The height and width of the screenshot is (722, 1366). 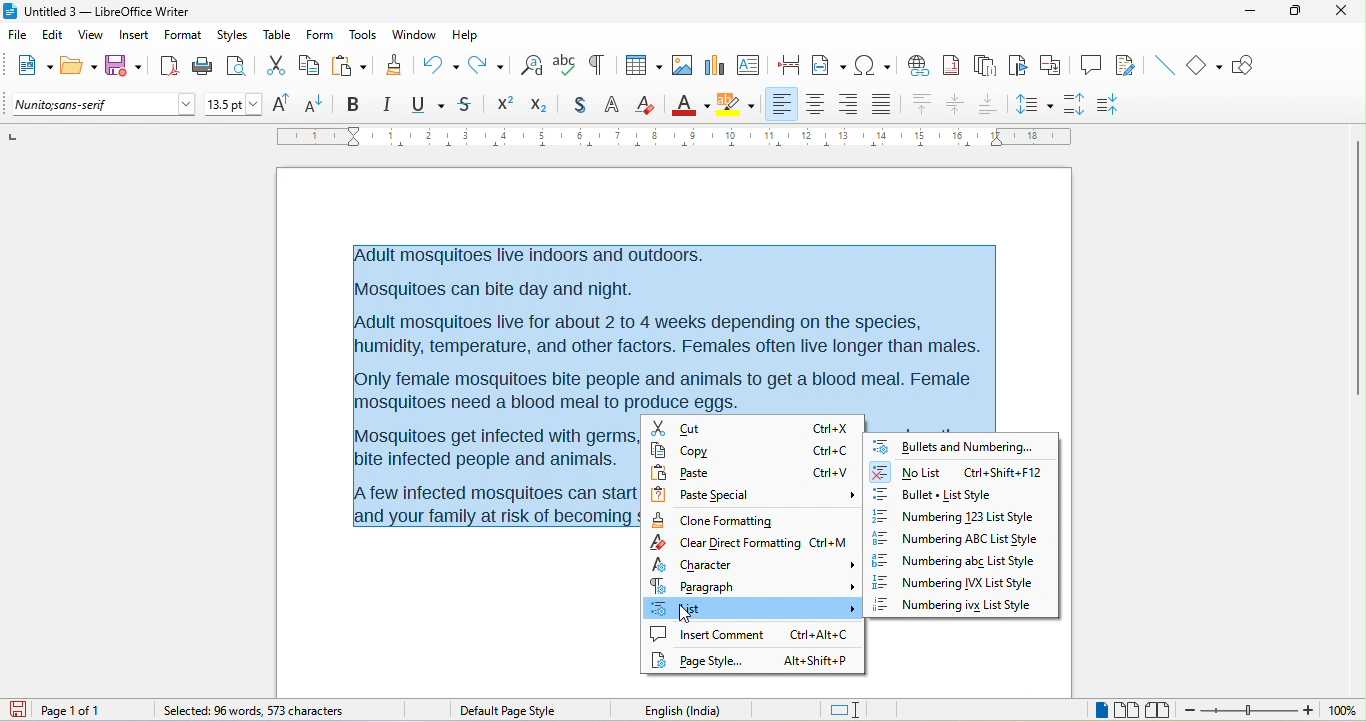 What do you see at coordinates (466, 106) in the screenshot?
I see `strikethrough` at bounding box center [466, 106].